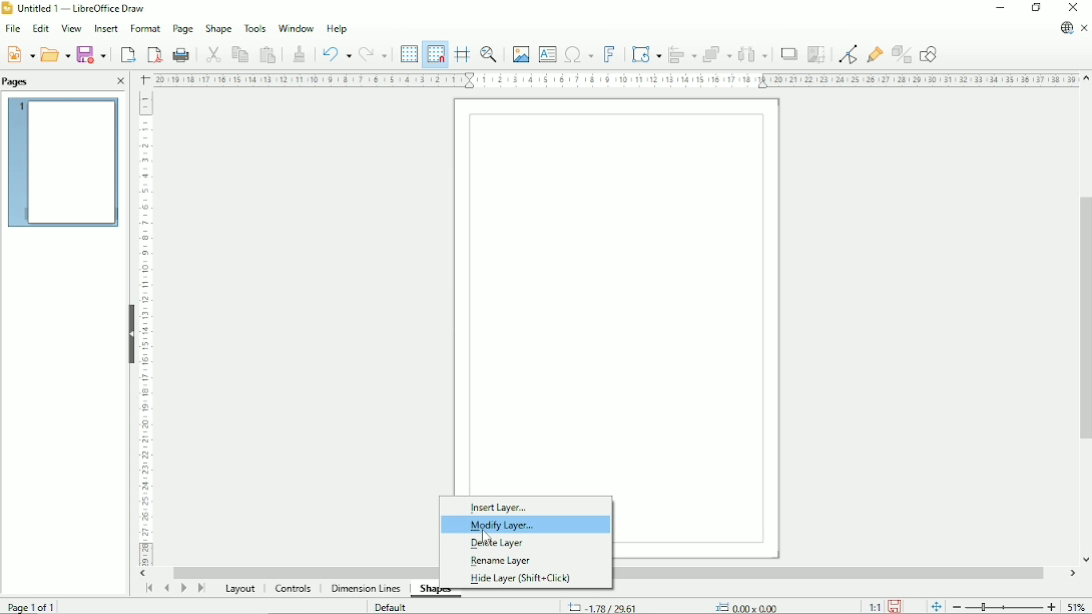 The image size is (1092, 614). Describe the element at coordinates (41, 29) in the screenshot. I see `Edit` at that location.